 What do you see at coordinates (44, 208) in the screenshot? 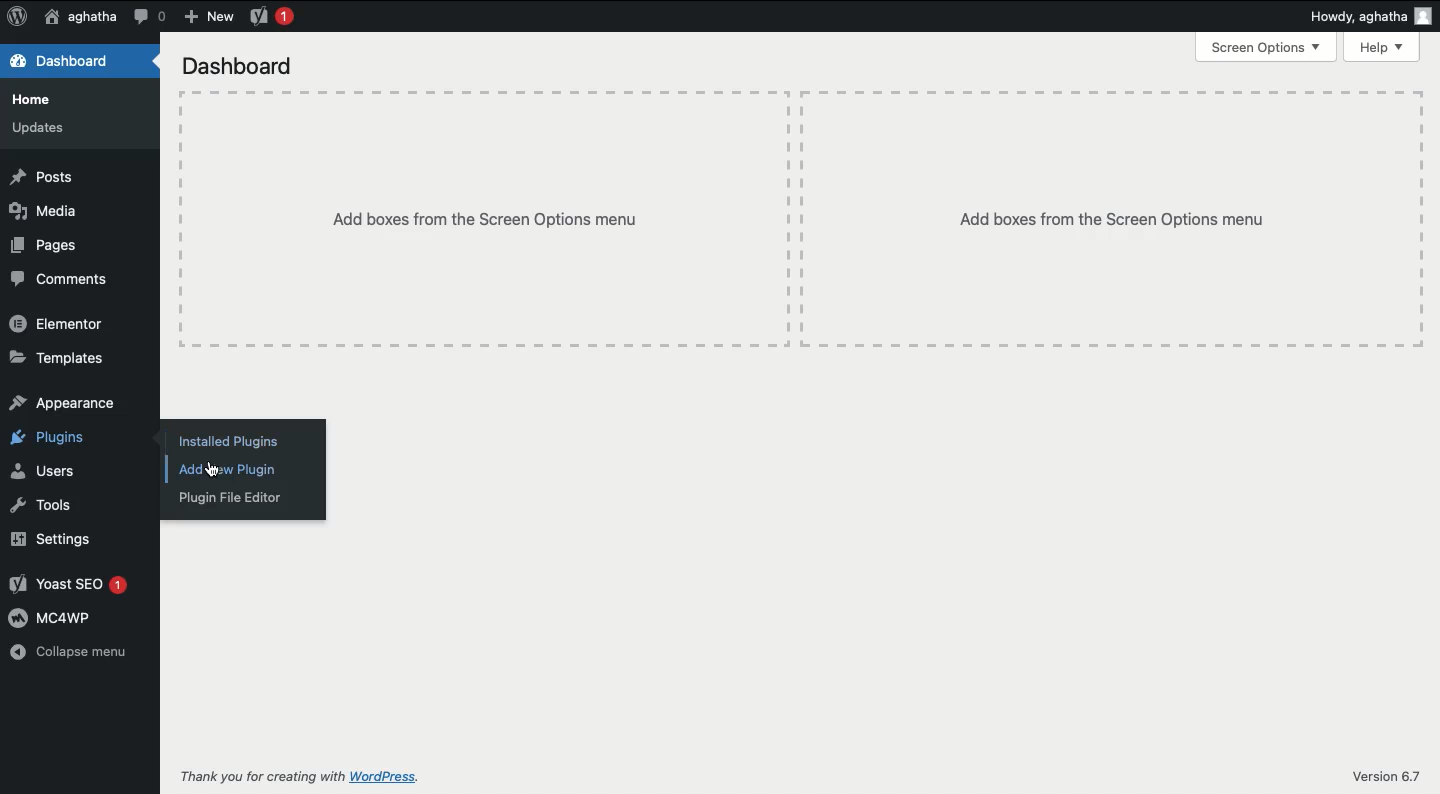
I see `Media` at bounding box center [44, 208].